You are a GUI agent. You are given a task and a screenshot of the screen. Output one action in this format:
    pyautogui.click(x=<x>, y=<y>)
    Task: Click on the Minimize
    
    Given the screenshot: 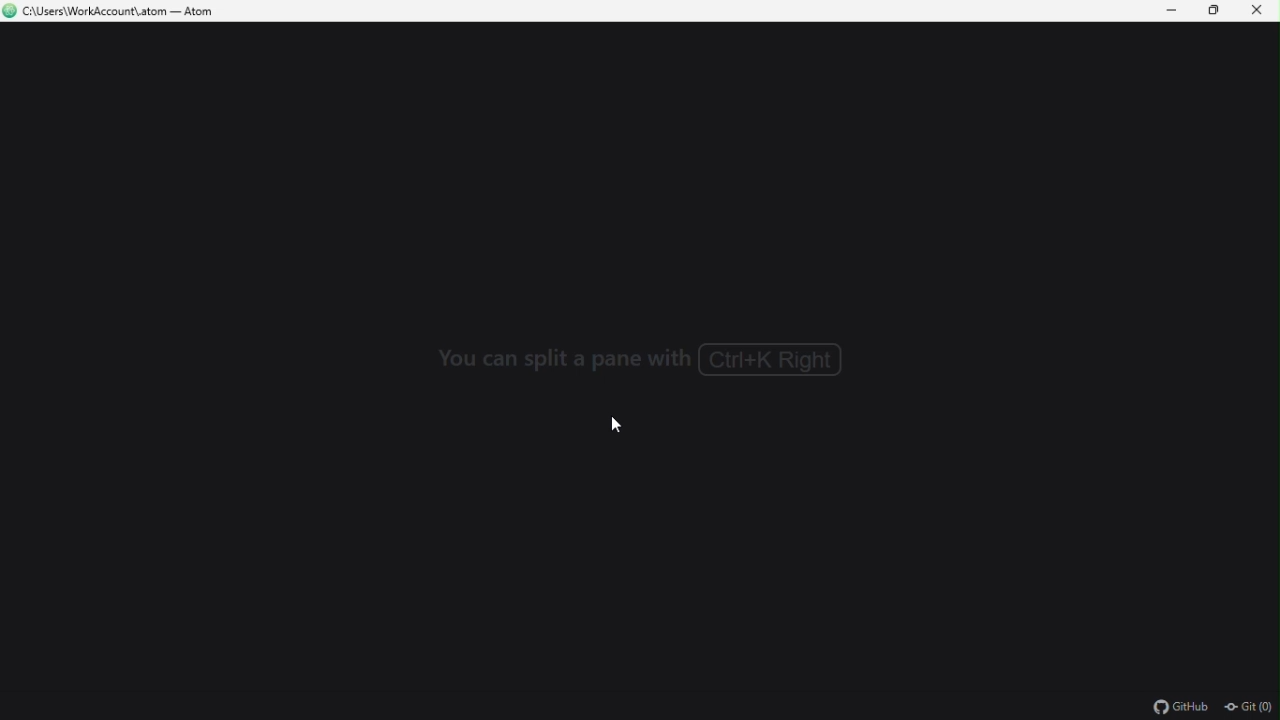 What is the action you would take?
    pyautogui.click(x=1164, y=11)
    